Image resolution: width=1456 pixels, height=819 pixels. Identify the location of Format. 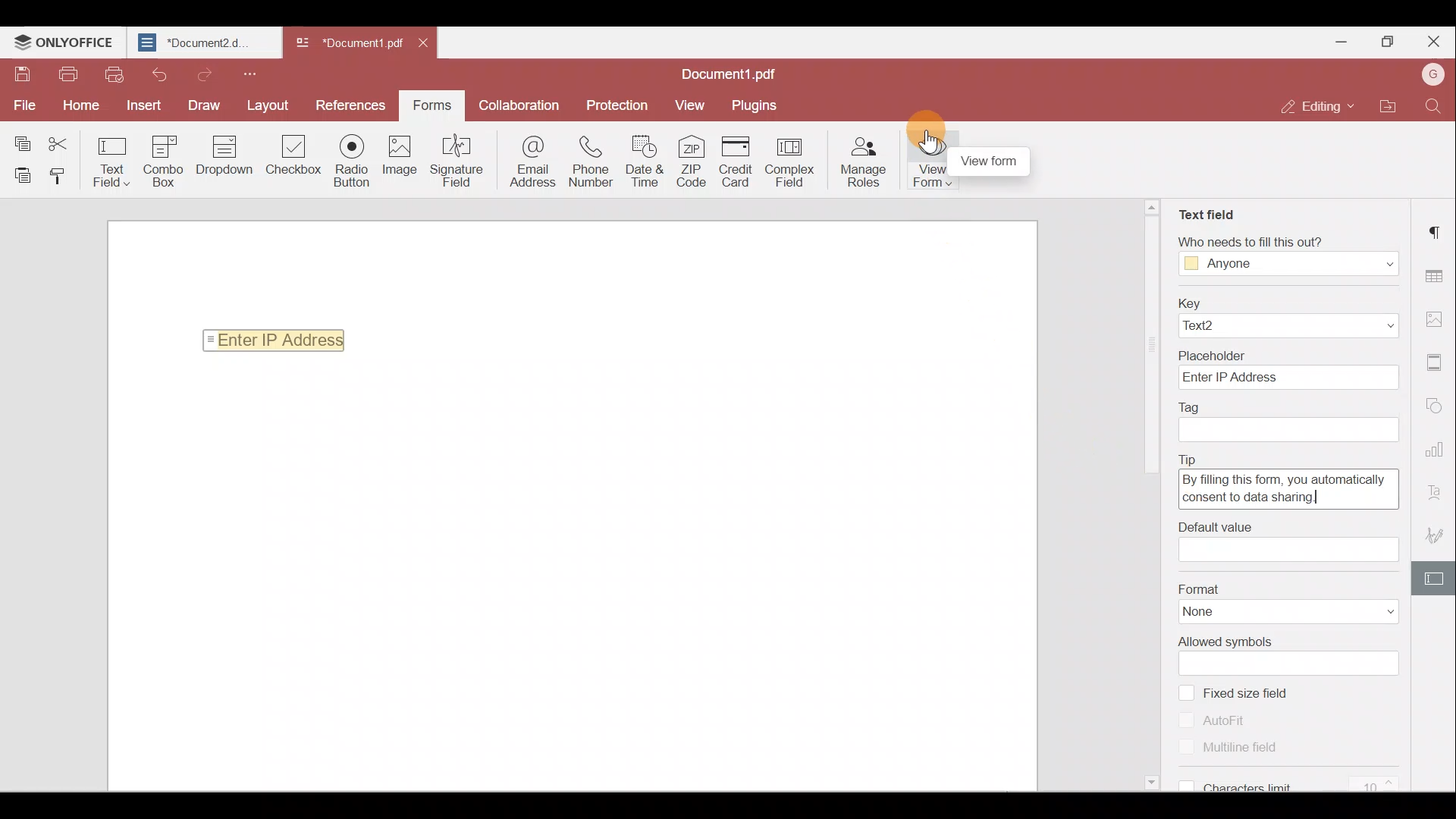
(1288, 588).